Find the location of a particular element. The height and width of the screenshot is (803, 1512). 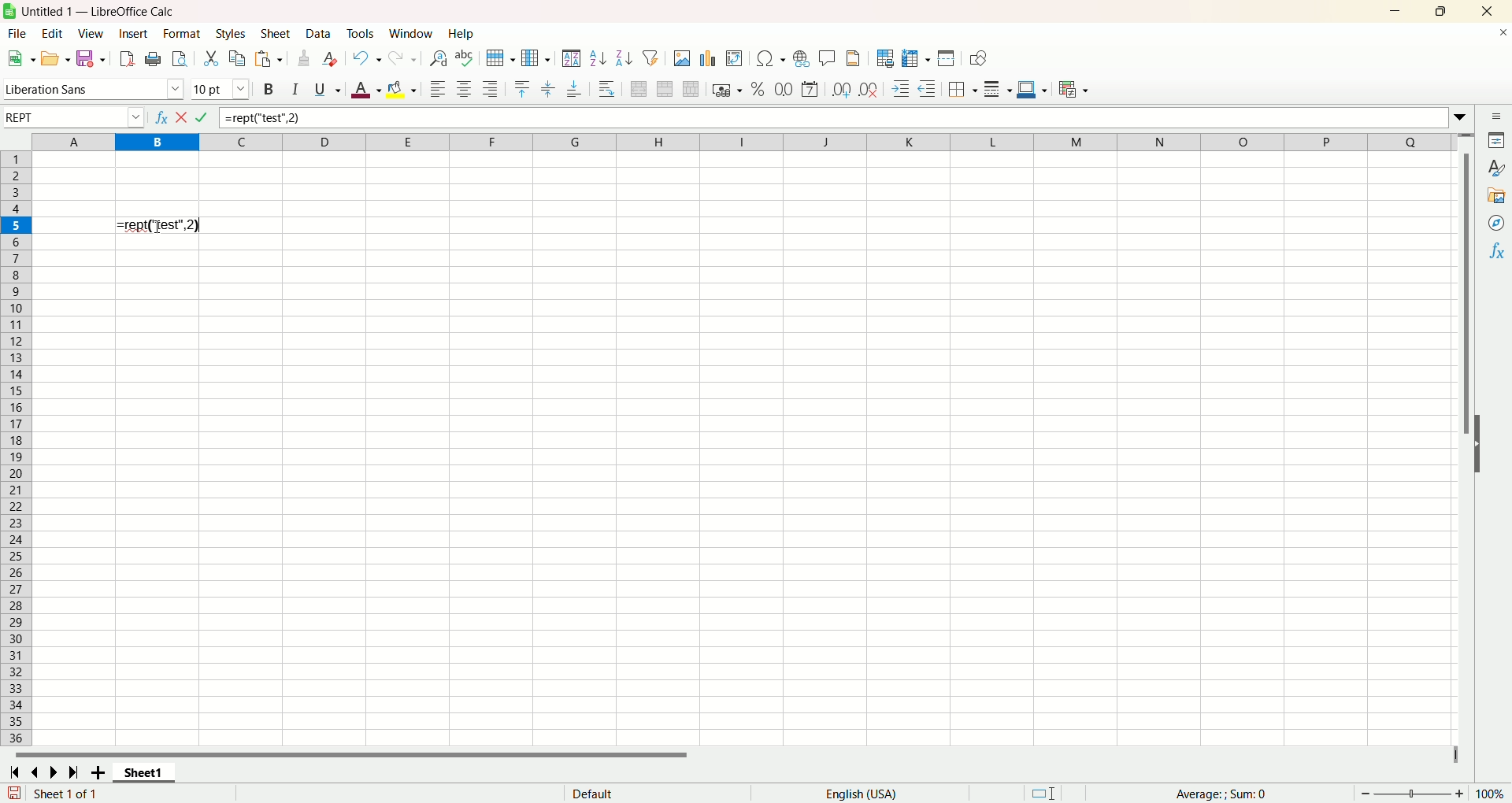

close is located at coordinates (1499, 35).